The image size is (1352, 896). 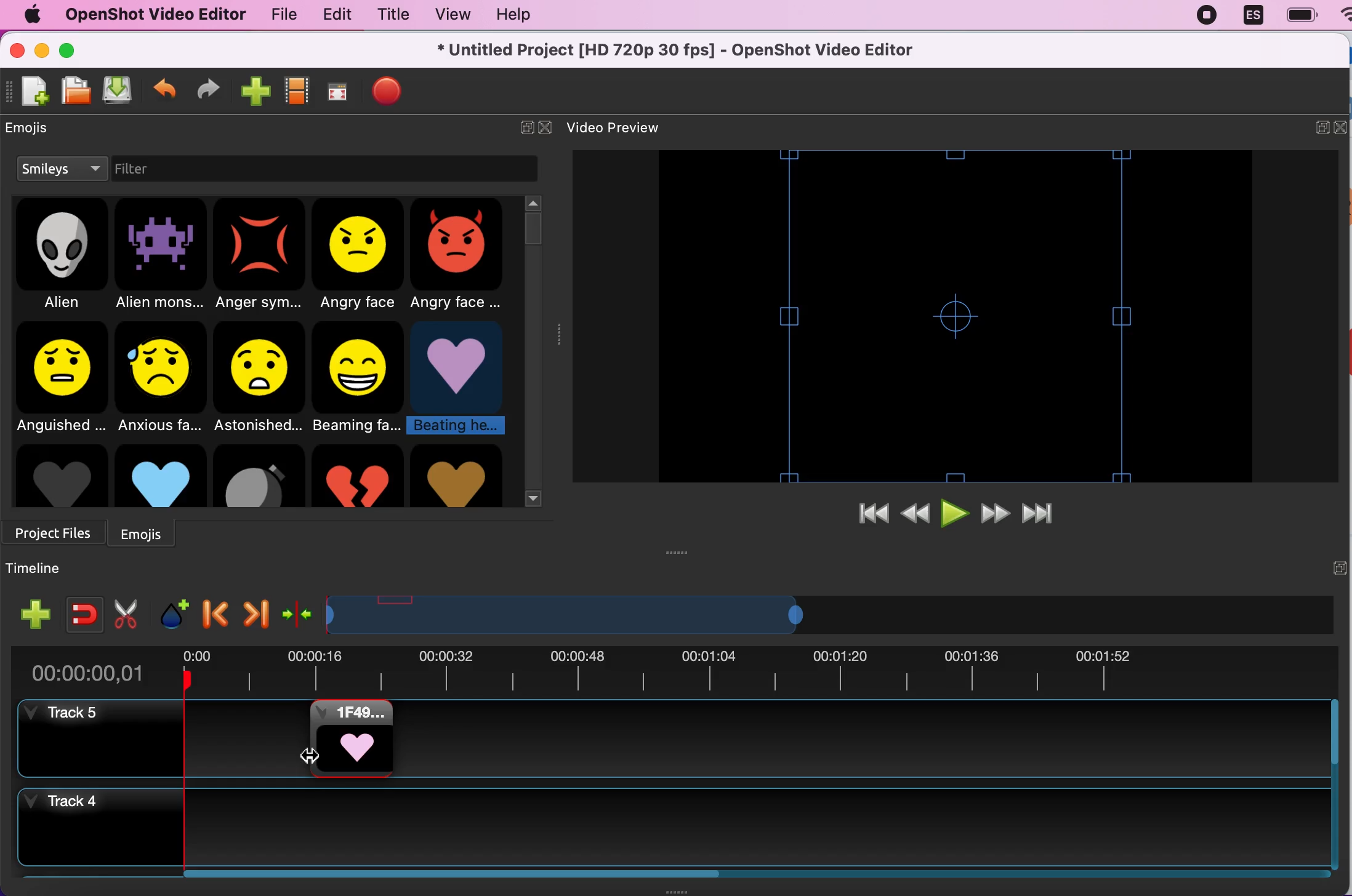 I want to click on minimize, so click(x=43, y=52).